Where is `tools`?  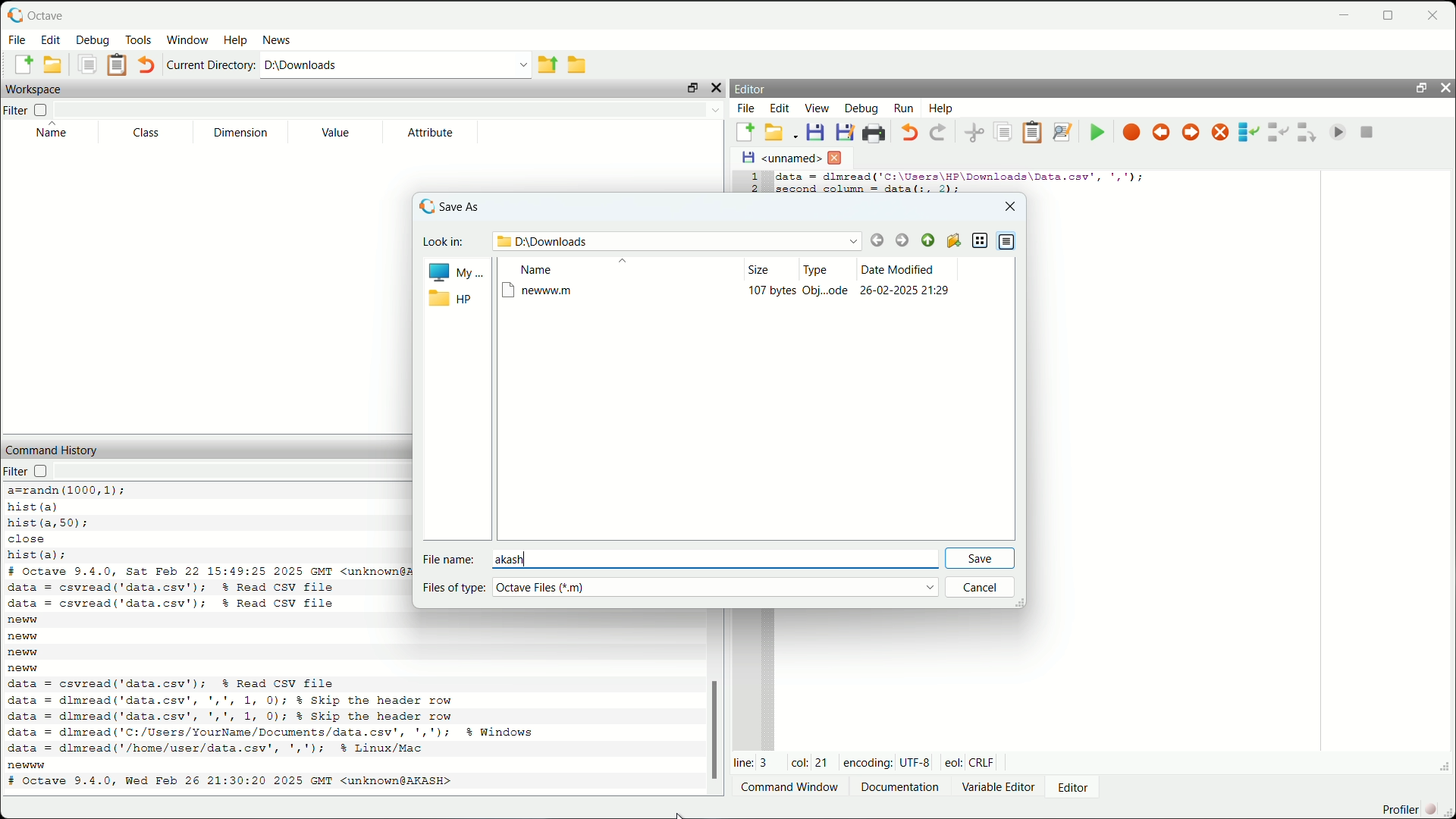 tools is located at coordinates (140, 39).